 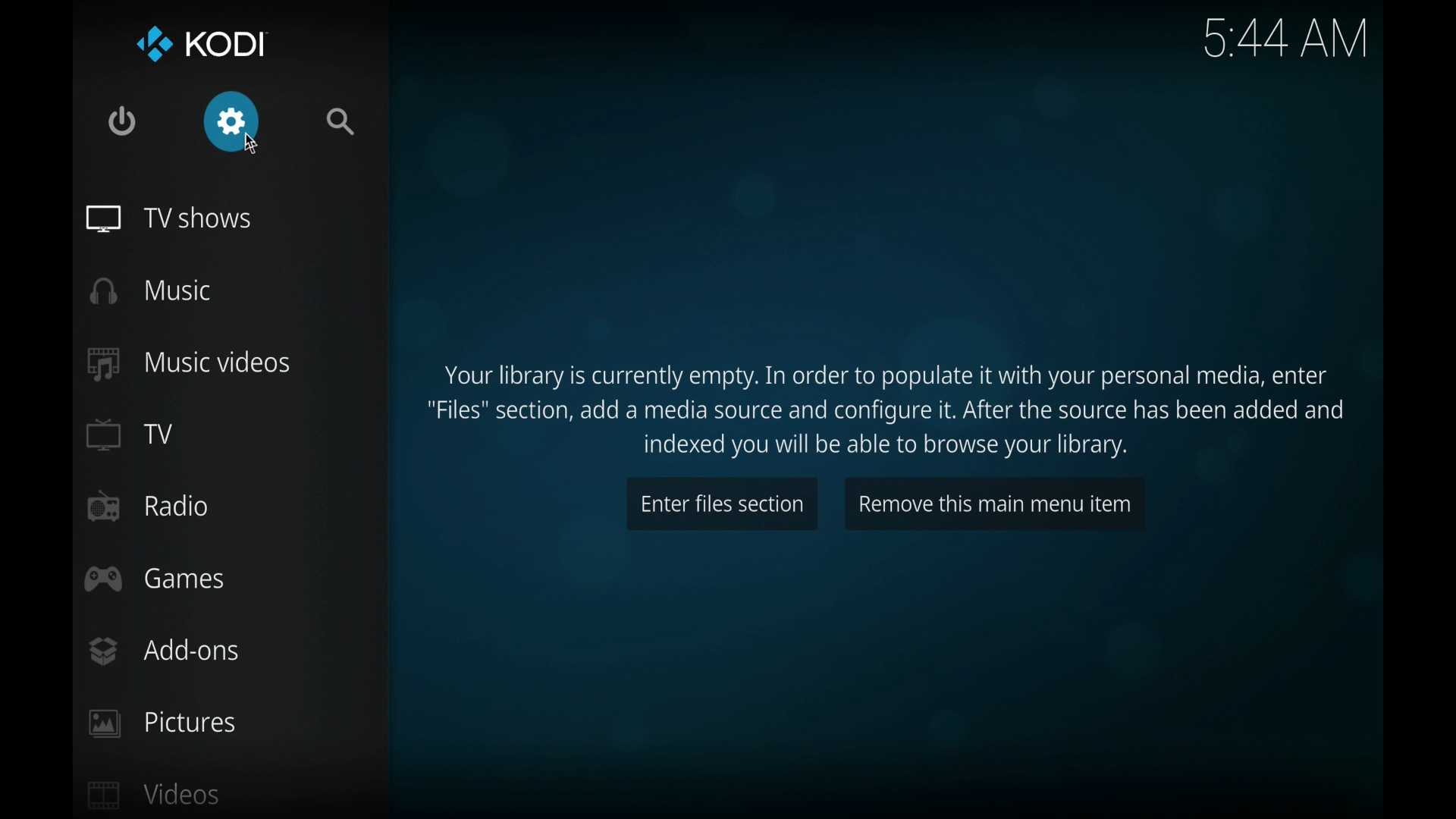 What do you see at coordinates (152, 578) in the screenshot?
I see `games` at bounding box center [152, 578].